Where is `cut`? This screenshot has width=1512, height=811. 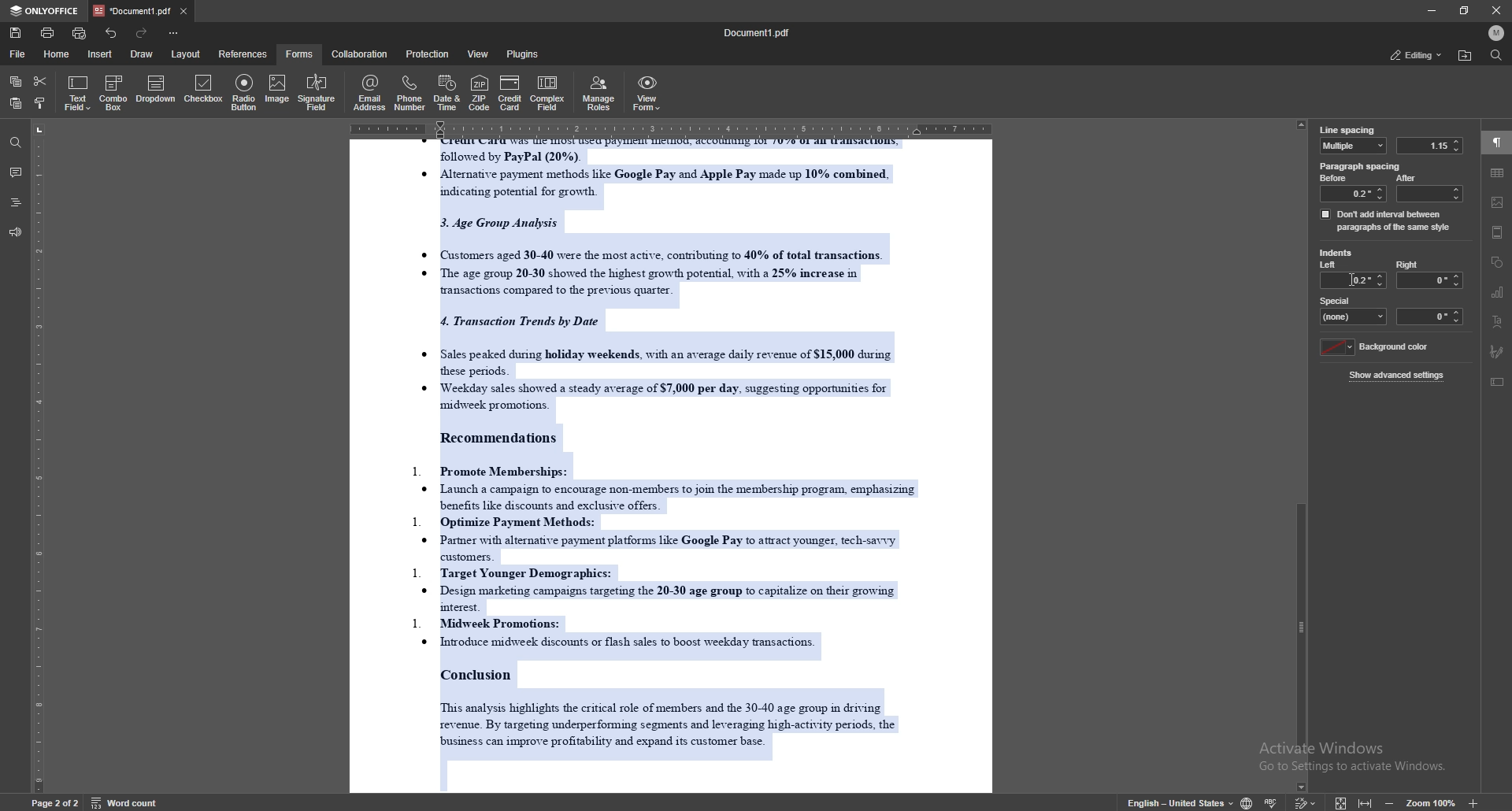 cut is located at coordinates (40, 81).